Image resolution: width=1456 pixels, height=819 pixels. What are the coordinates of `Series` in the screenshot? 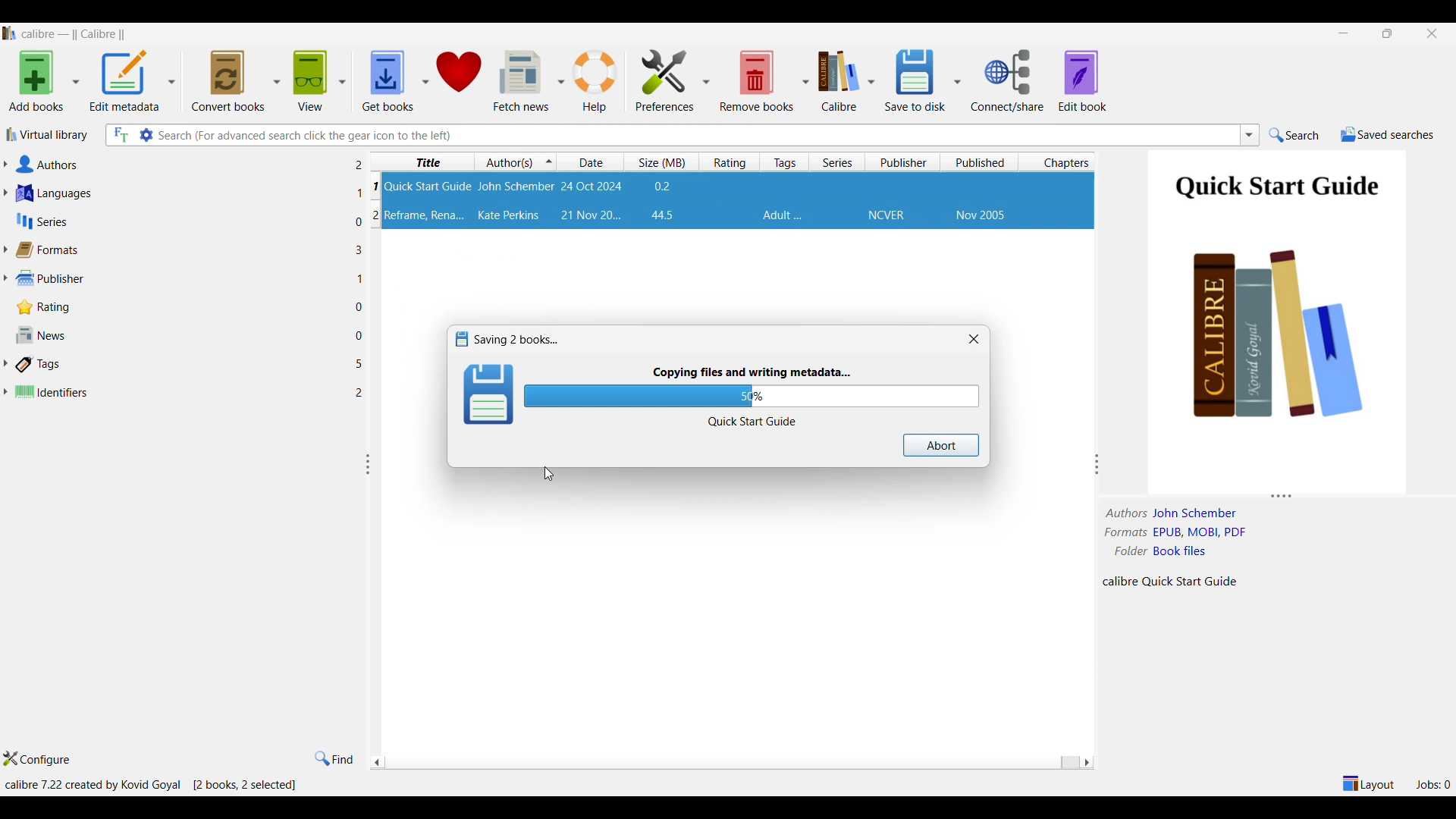 It's located at (169, 221).